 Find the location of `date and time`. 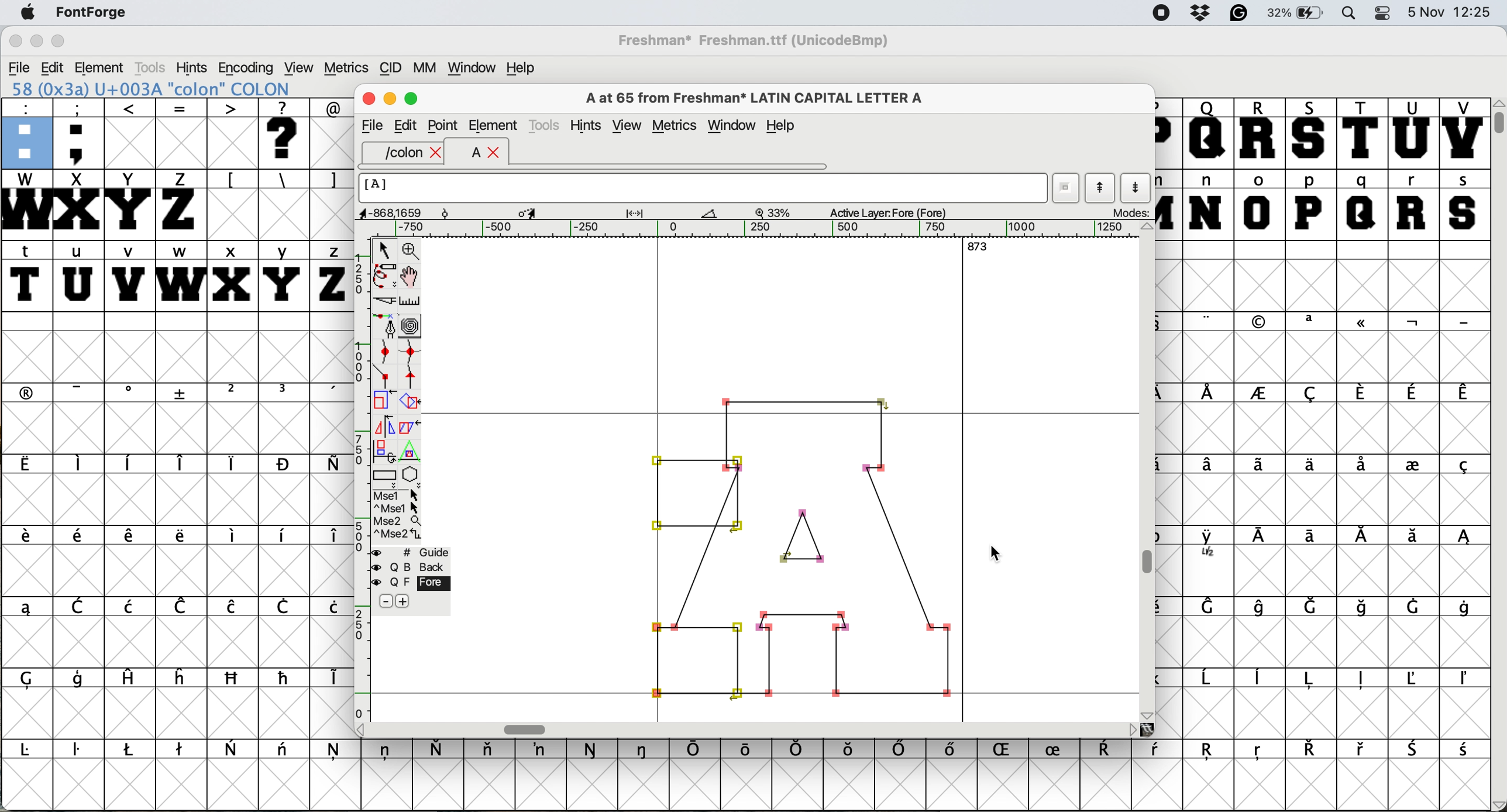

date and time is located at coordinates (1452, 12).